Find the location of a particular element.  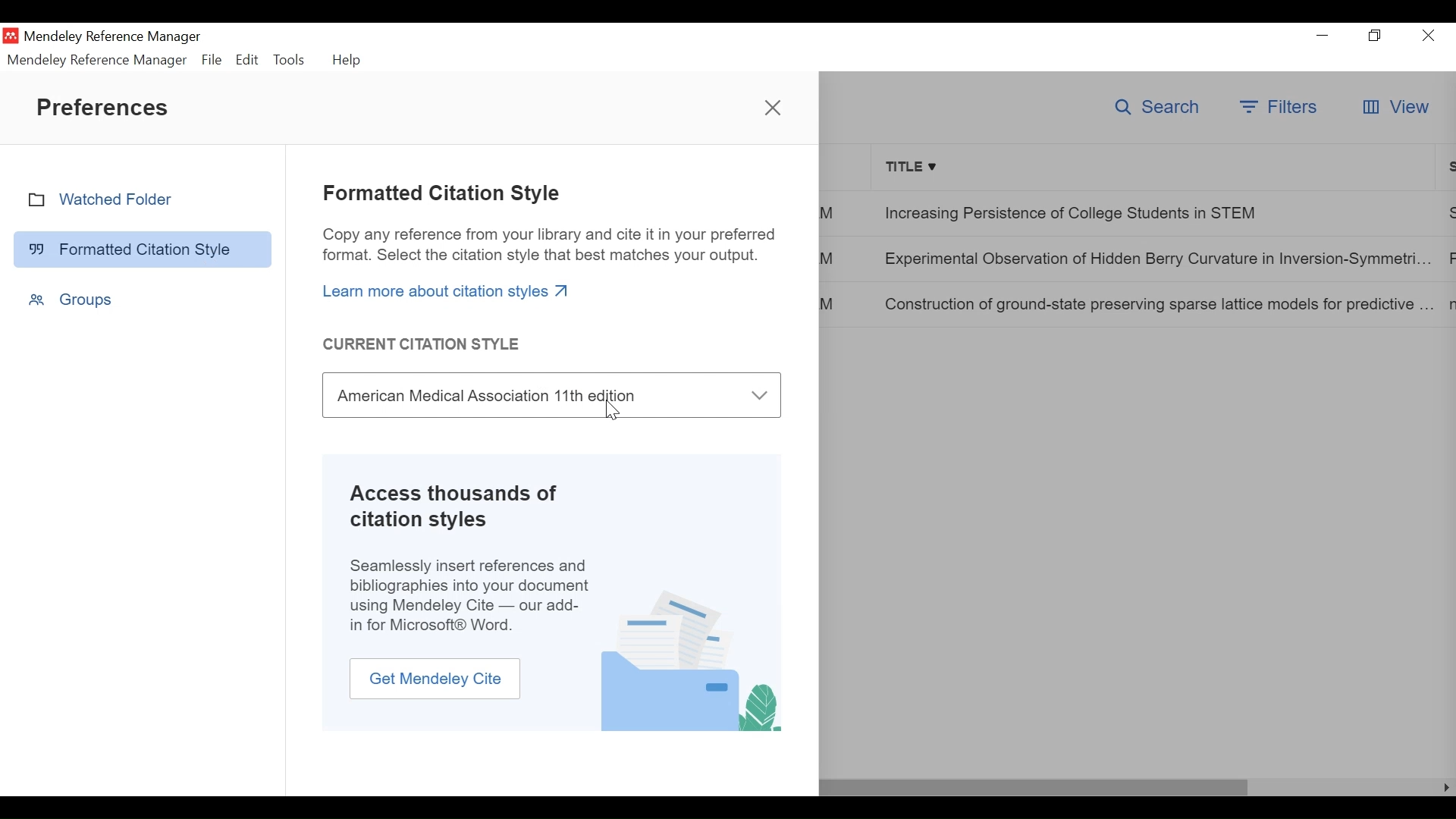

Mendeley Desktop Icon is located at coordinates (10, 36).